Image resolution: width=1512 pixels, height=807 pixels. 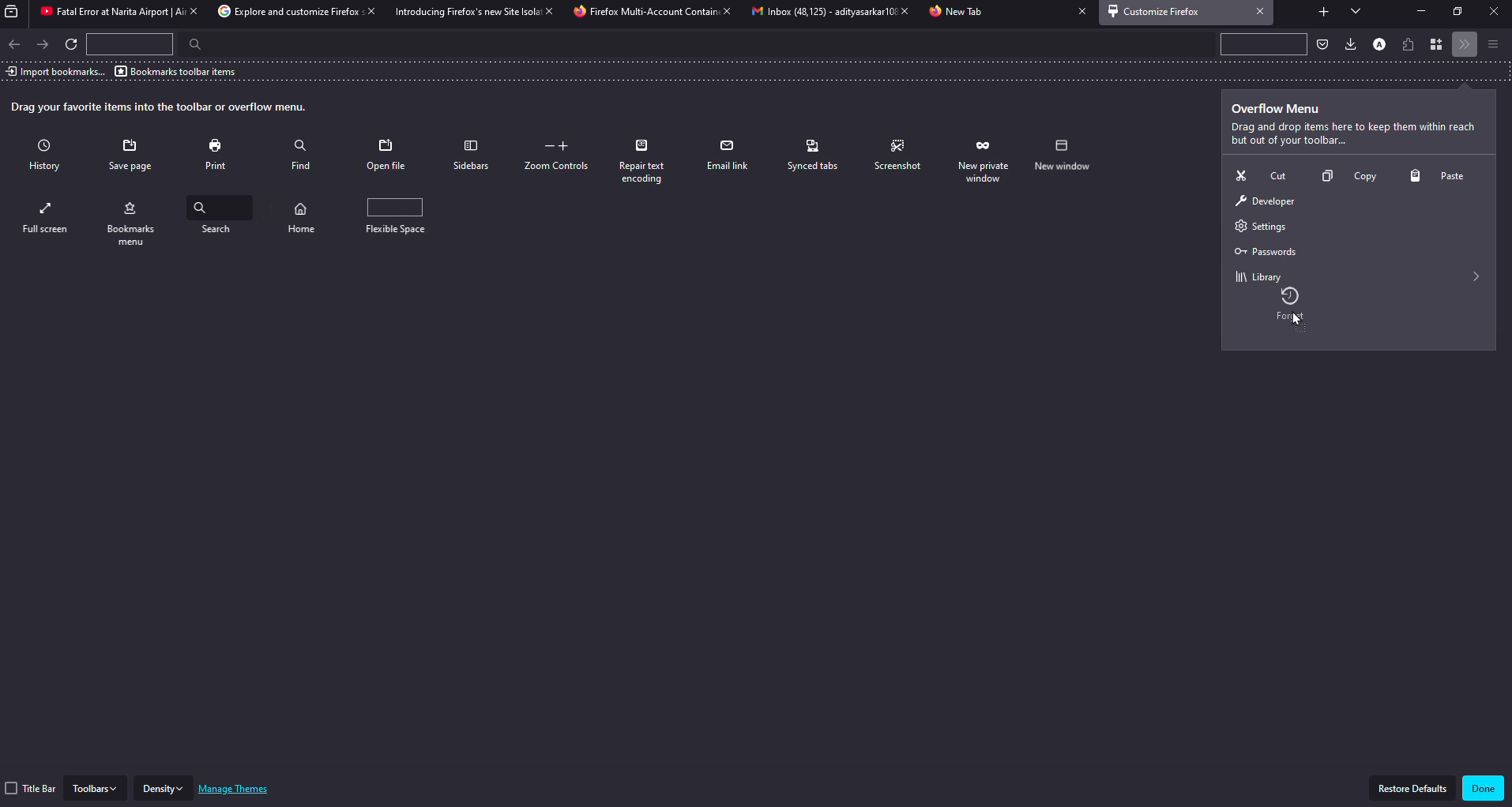 What do you see at coordinates (1279, 109) in the screenshot?
I see `overflow menu` at bounding box center [1279, 109].